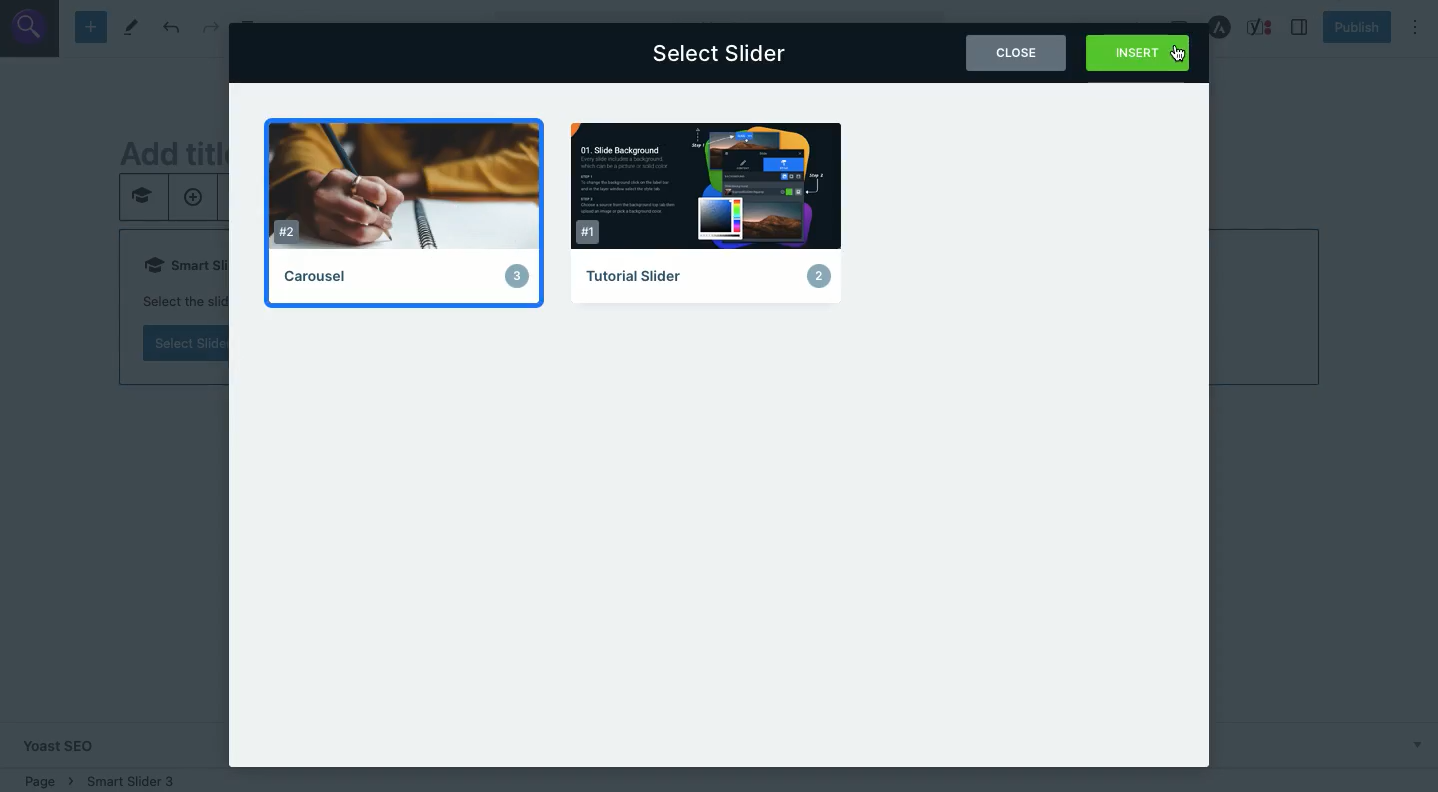 The width and height of the screenshot is (1438, 792). What do you see at coordinates (132, 27) in the screenshot?
I see `Tools` at bounding box center [132, 27].